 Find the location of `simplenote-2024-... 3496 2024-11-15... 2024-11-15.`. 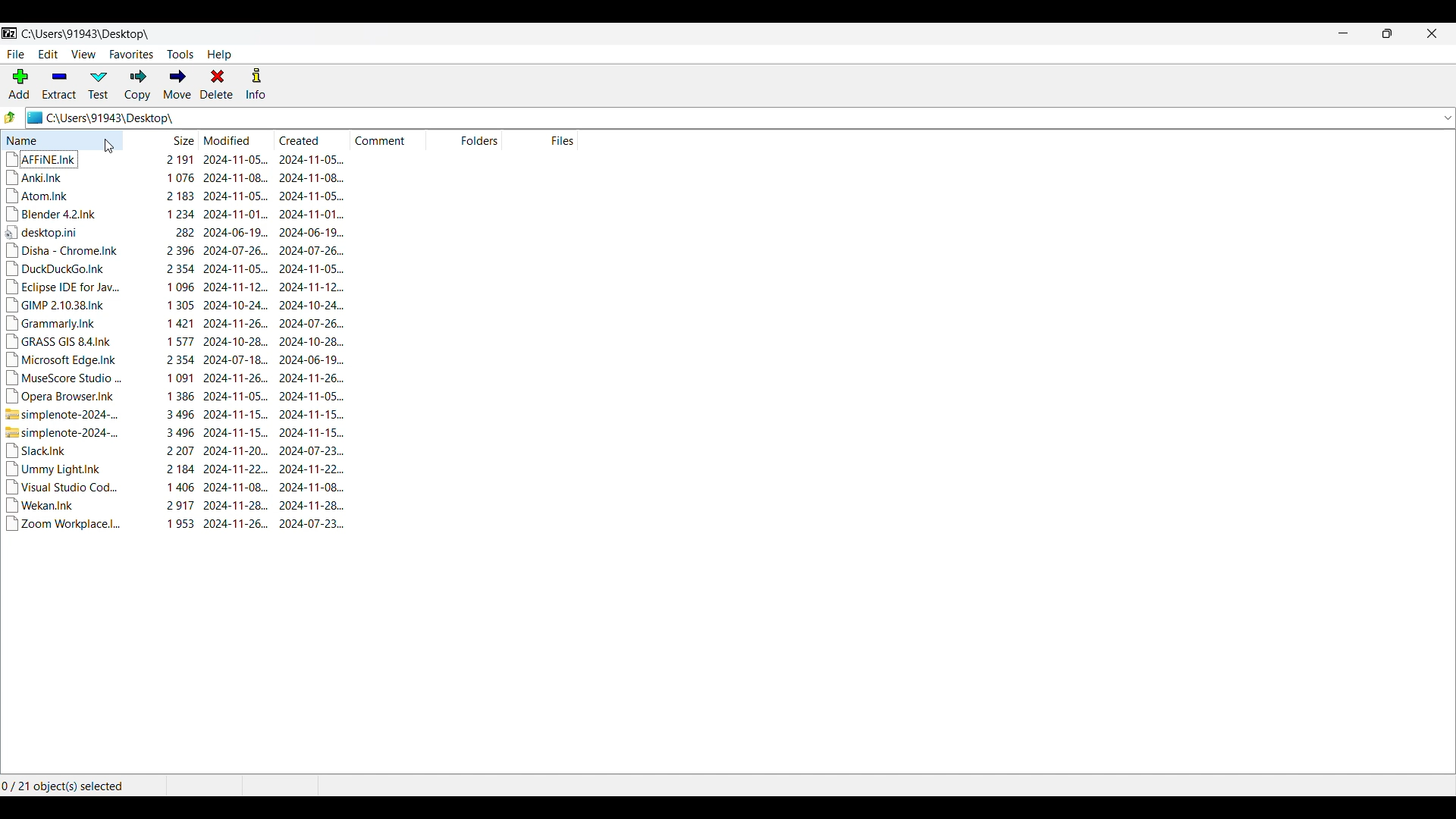

simplenote-2024-... 3496 2024-11-15... 2024-11-15. is located at coordinates (175, 434).